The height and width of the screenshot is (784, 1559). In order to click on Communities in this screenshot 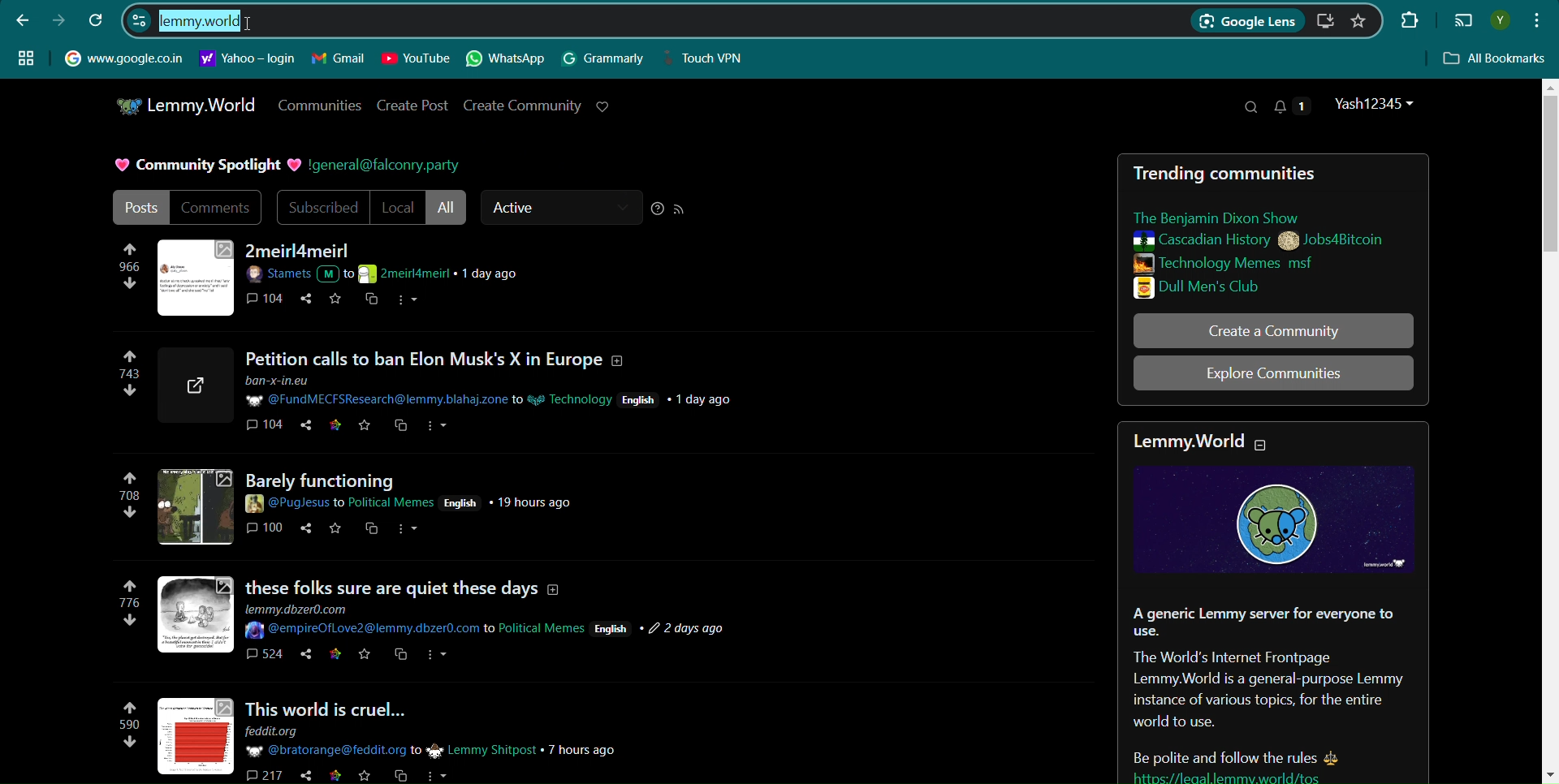, I will do `click(318, 105)`.